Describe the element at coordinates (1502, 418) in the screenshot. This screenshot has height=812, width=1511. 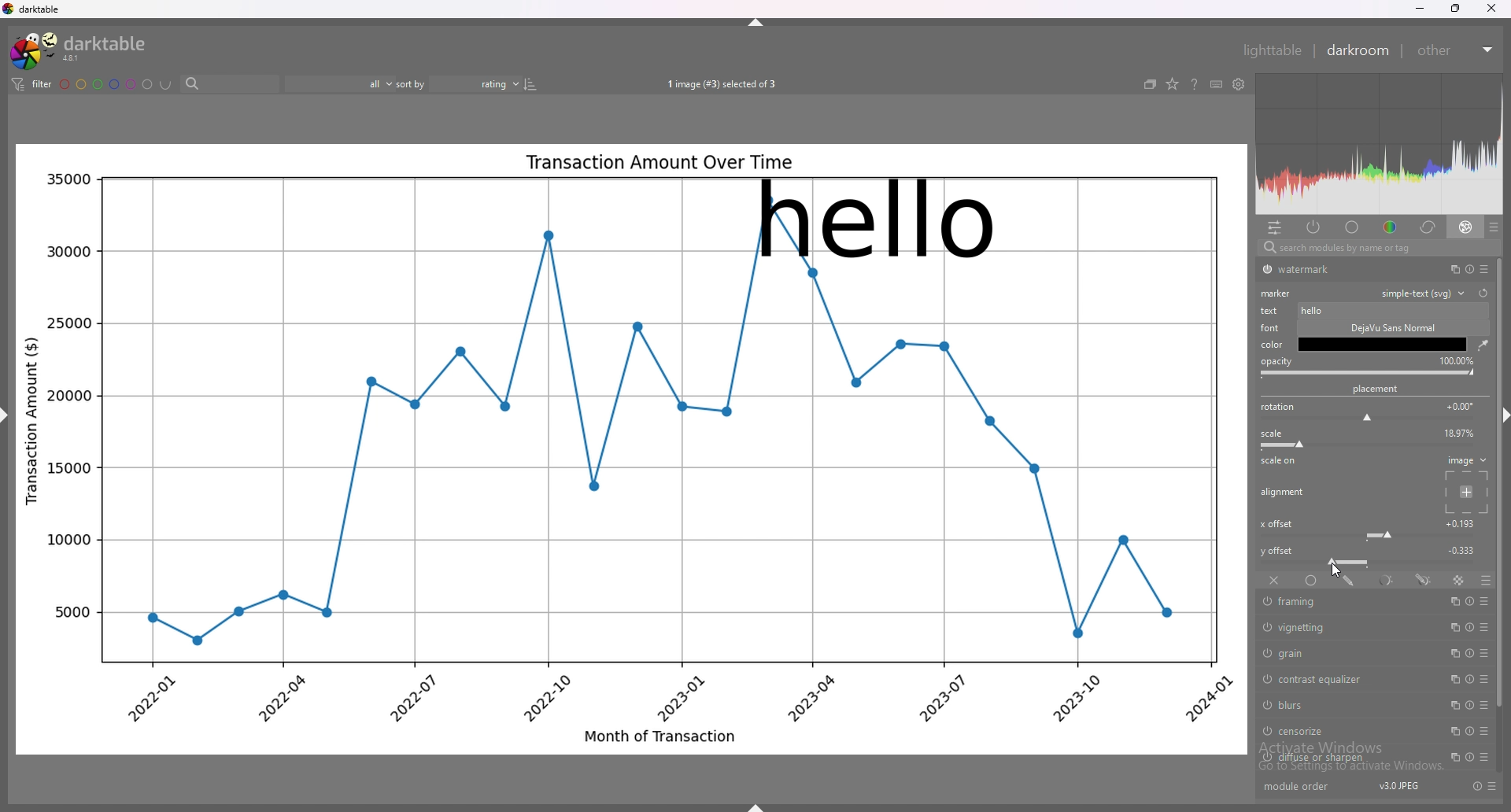
I see `hide` at that location.